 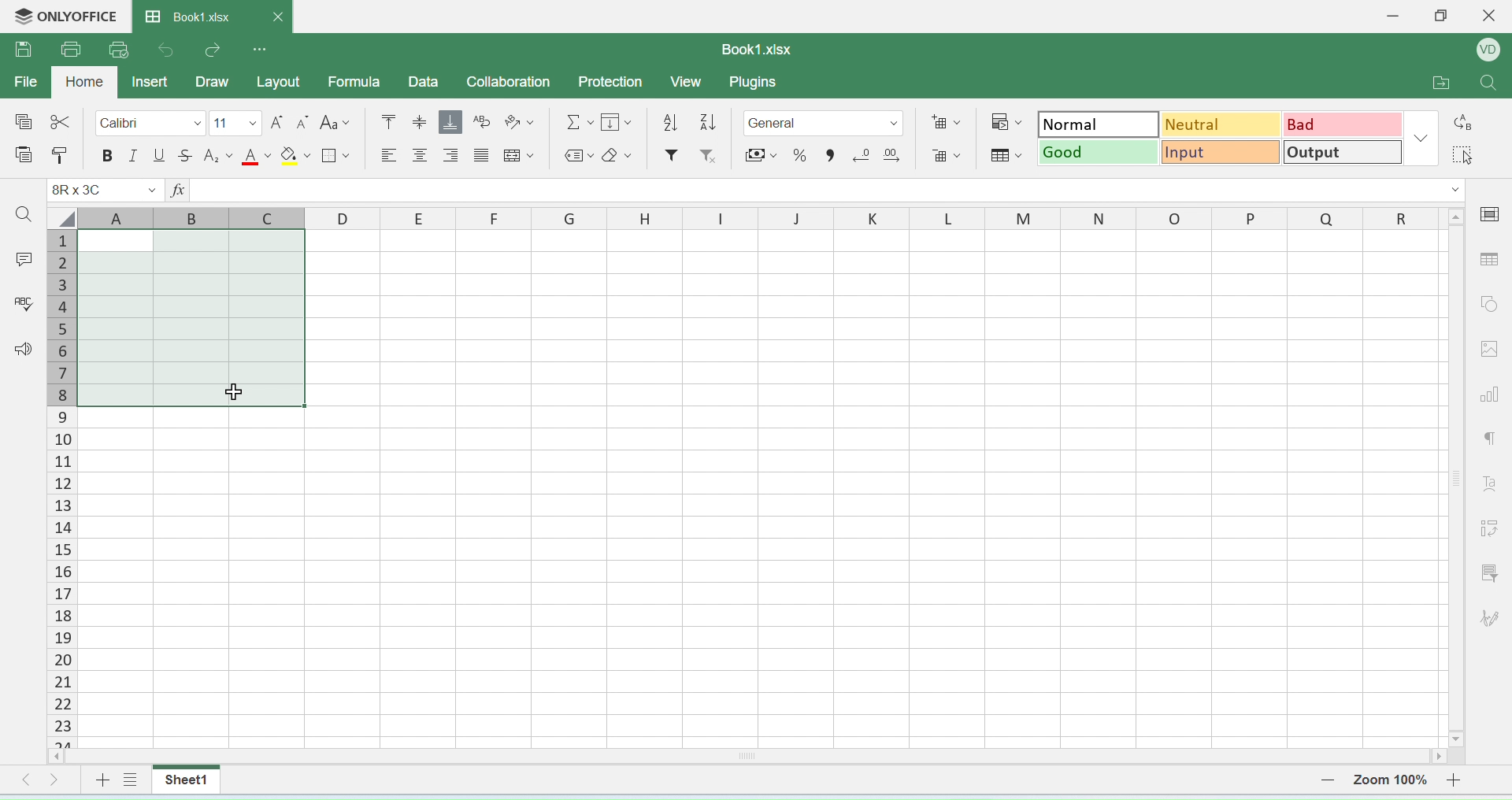 What do you see at coordinates (710, 154) in the screenshot?
I see `remove filter` at bounding box center [710, 154].